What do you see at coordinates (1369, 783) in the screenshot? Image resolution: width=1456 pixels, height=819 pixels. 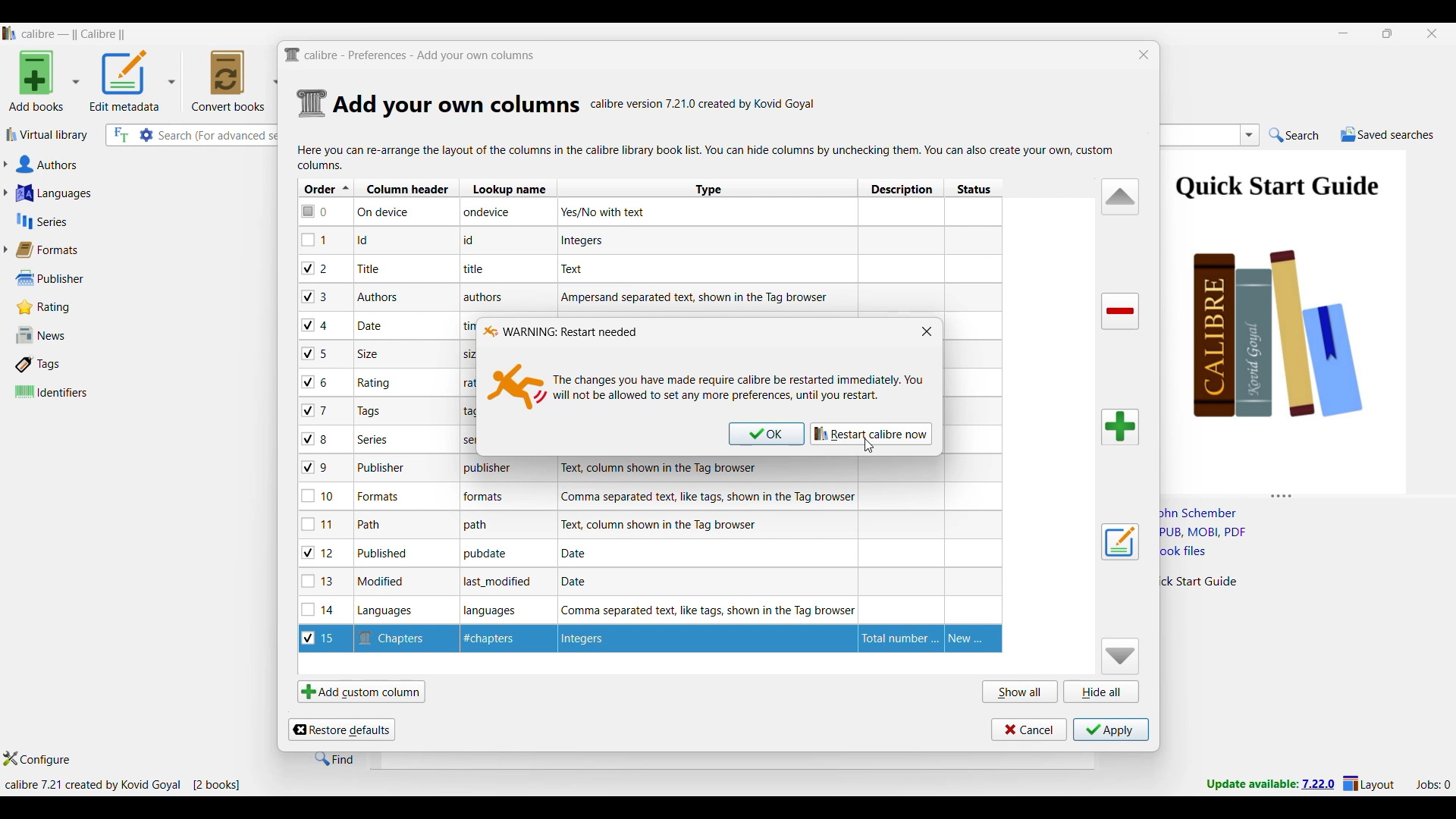 I see `Layout settings` at bounding box center [1369, 783].